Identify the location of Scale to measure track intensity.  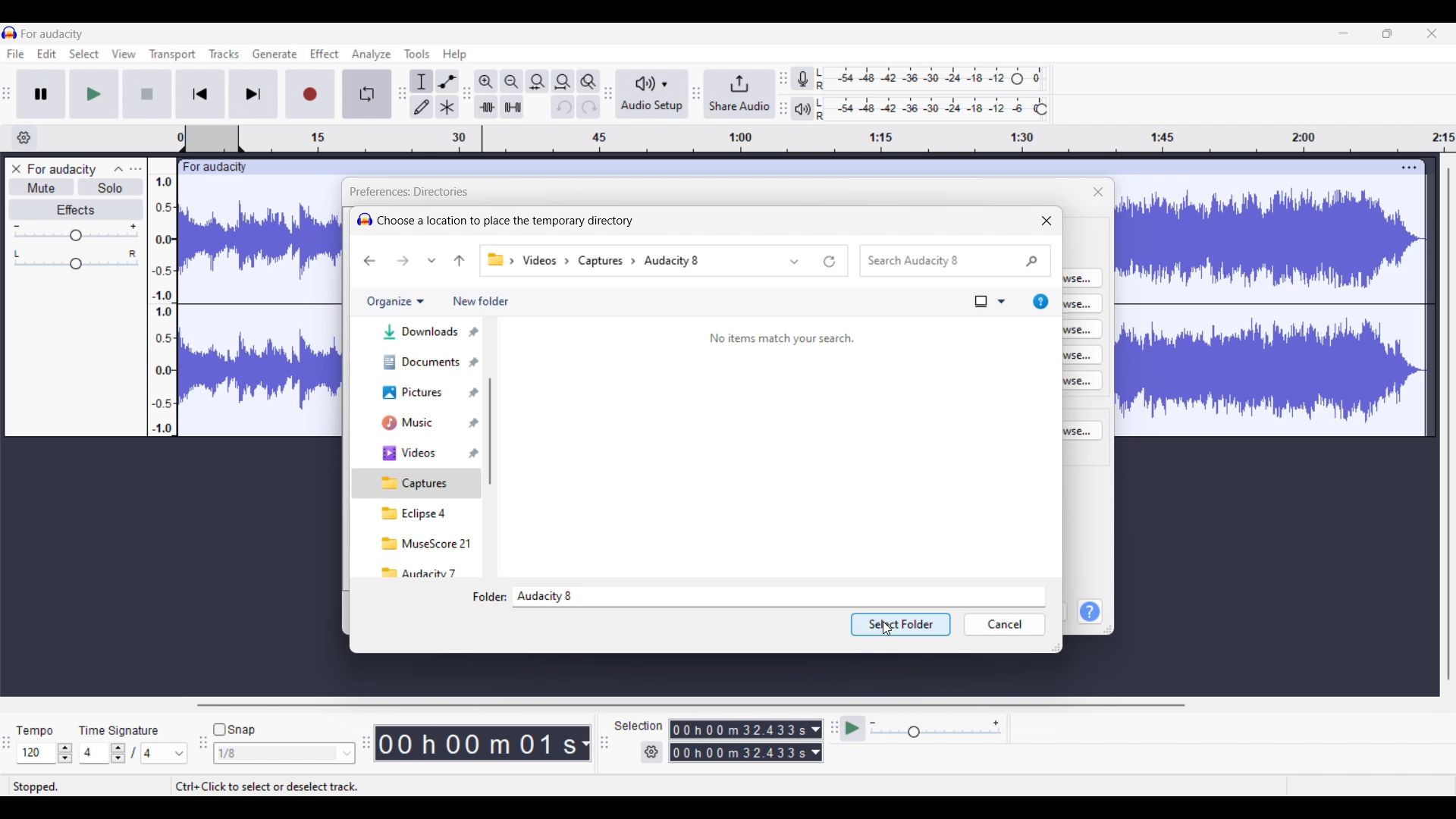
(162, 305).